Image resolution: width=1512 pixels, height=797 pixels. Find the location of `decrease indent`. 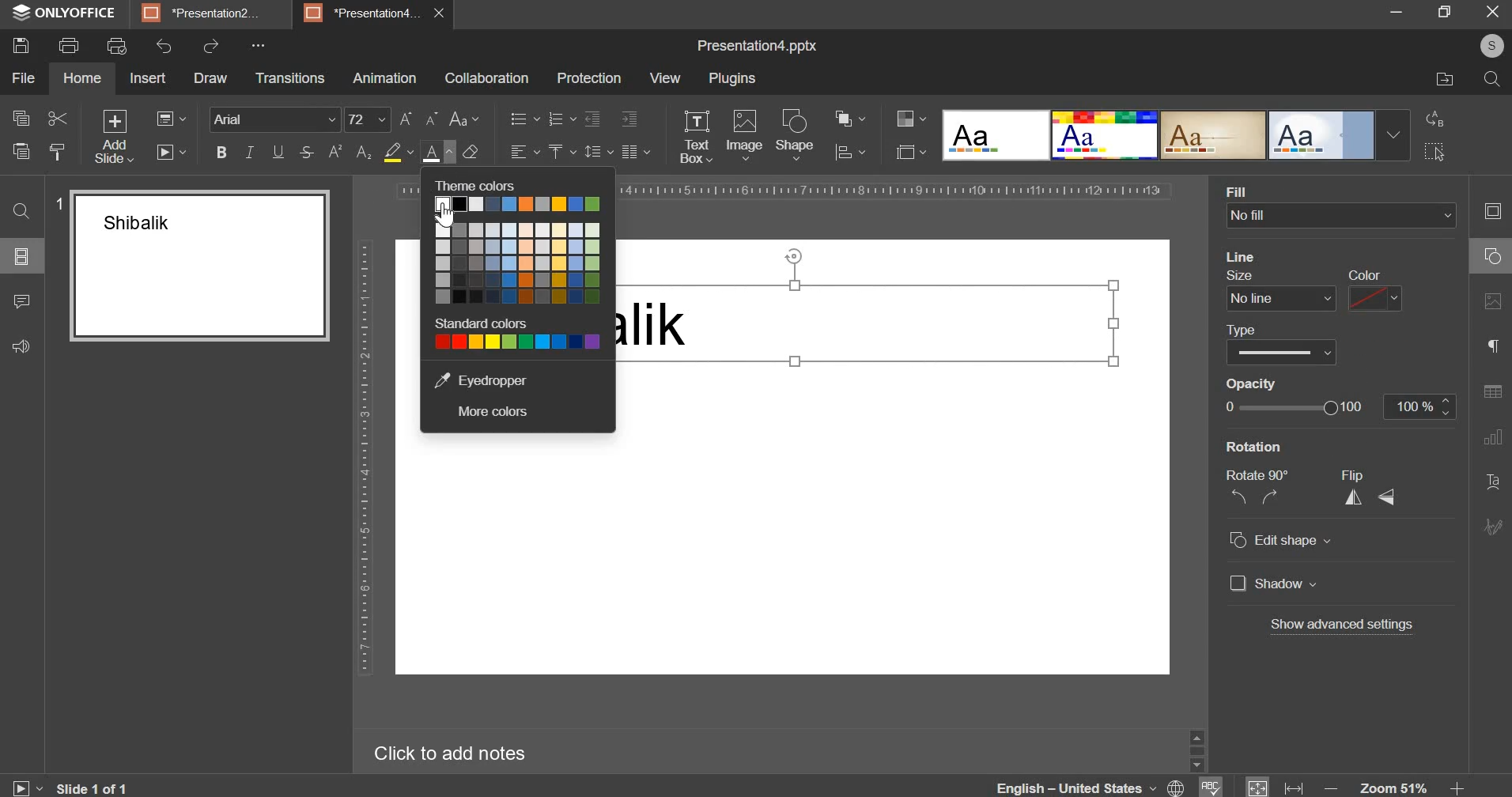

decrease indent is located at coordinates (592, 119).